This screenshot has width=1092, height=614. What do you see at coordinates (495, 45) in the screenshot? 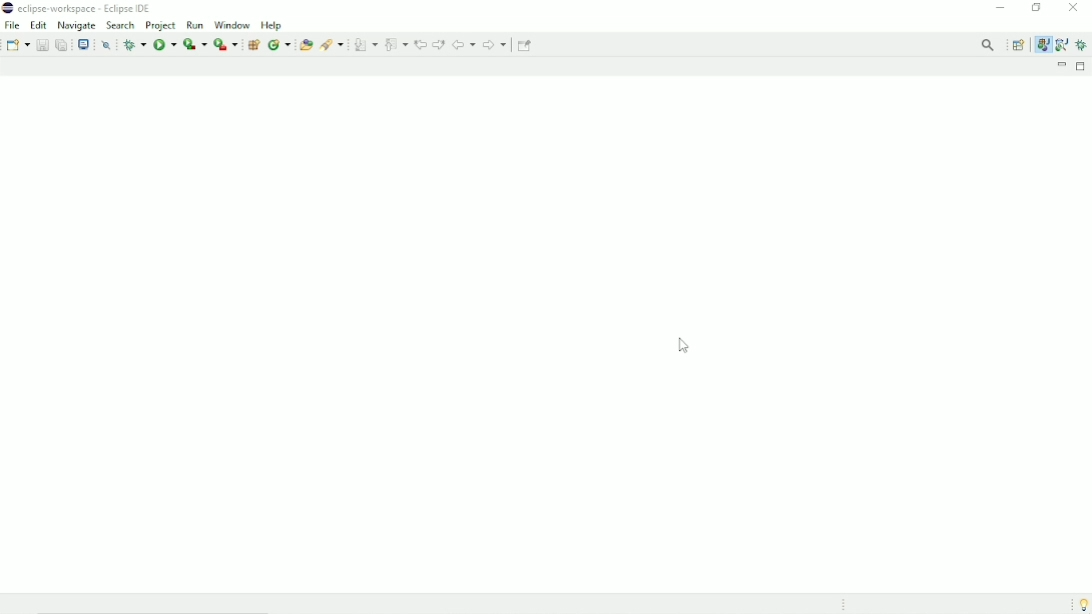
I see `Forward` at bounding box center [495, 45].